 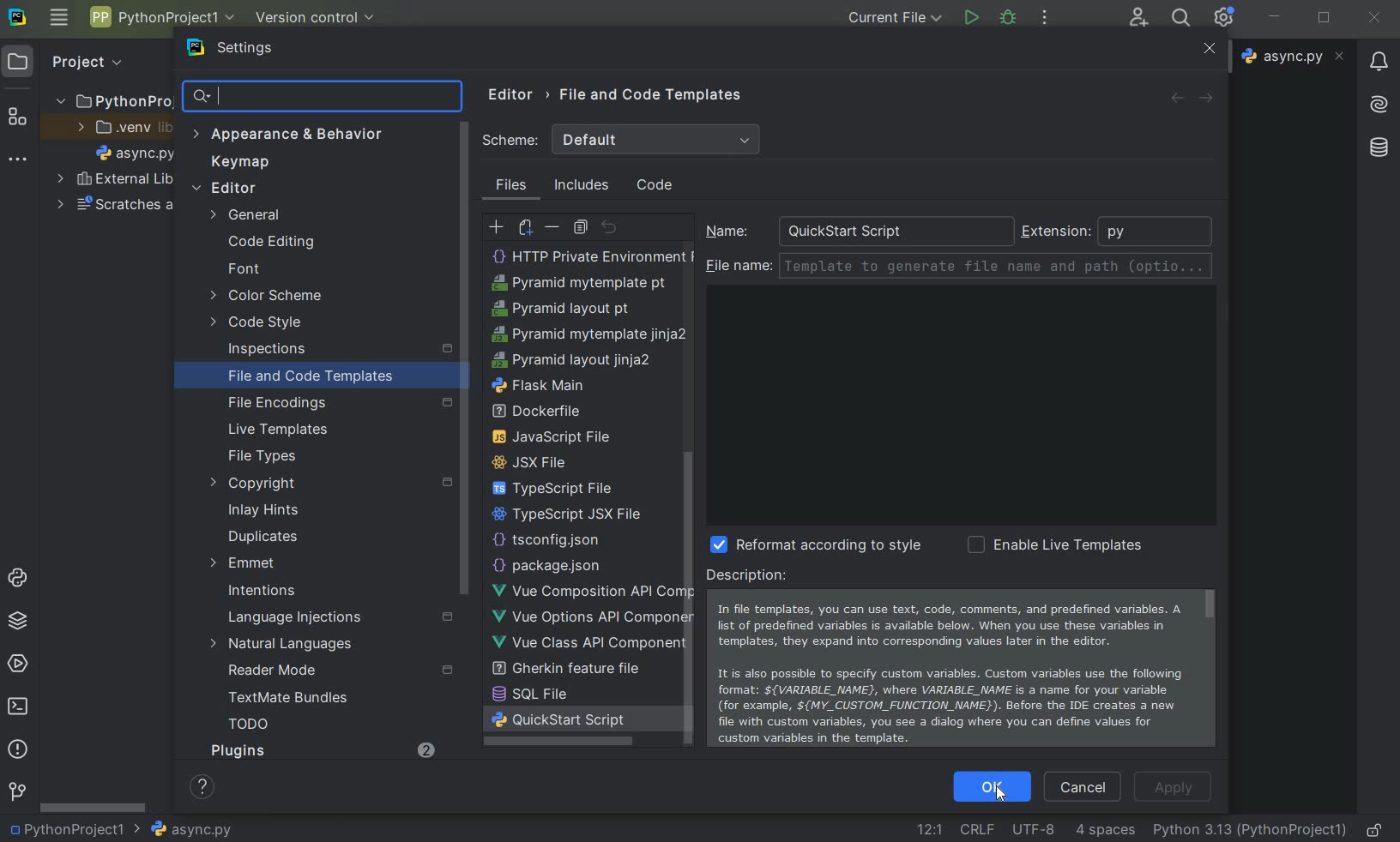 What do you see at coordinates (553, 226) in the screenshot?
I see `remove template` at bounding box center [553, 226].